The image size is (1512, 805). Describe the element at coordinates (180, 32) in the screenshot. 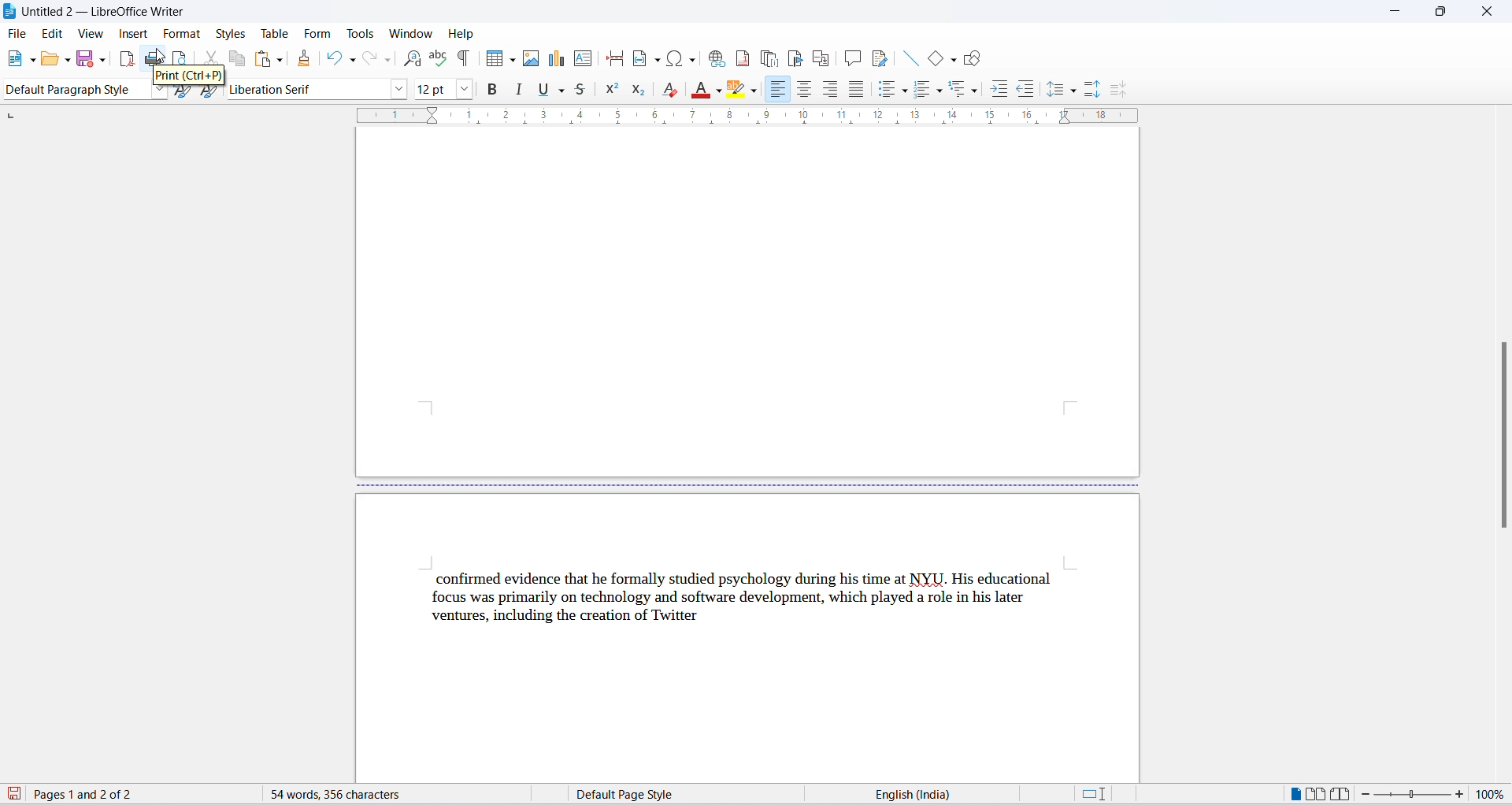

I see `format` at that location.